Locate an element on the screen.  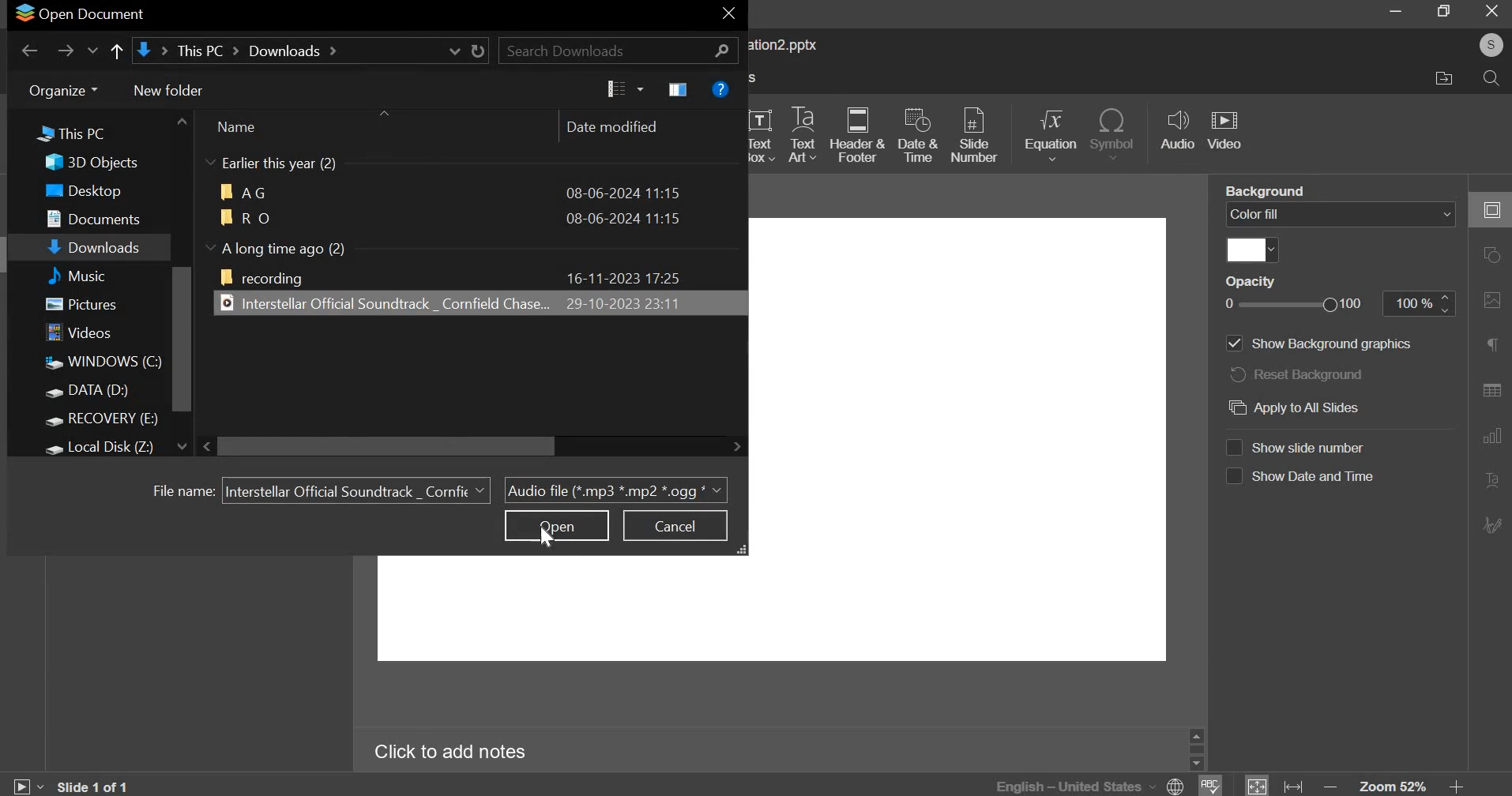
creation date is located at coordinates (624, 218).